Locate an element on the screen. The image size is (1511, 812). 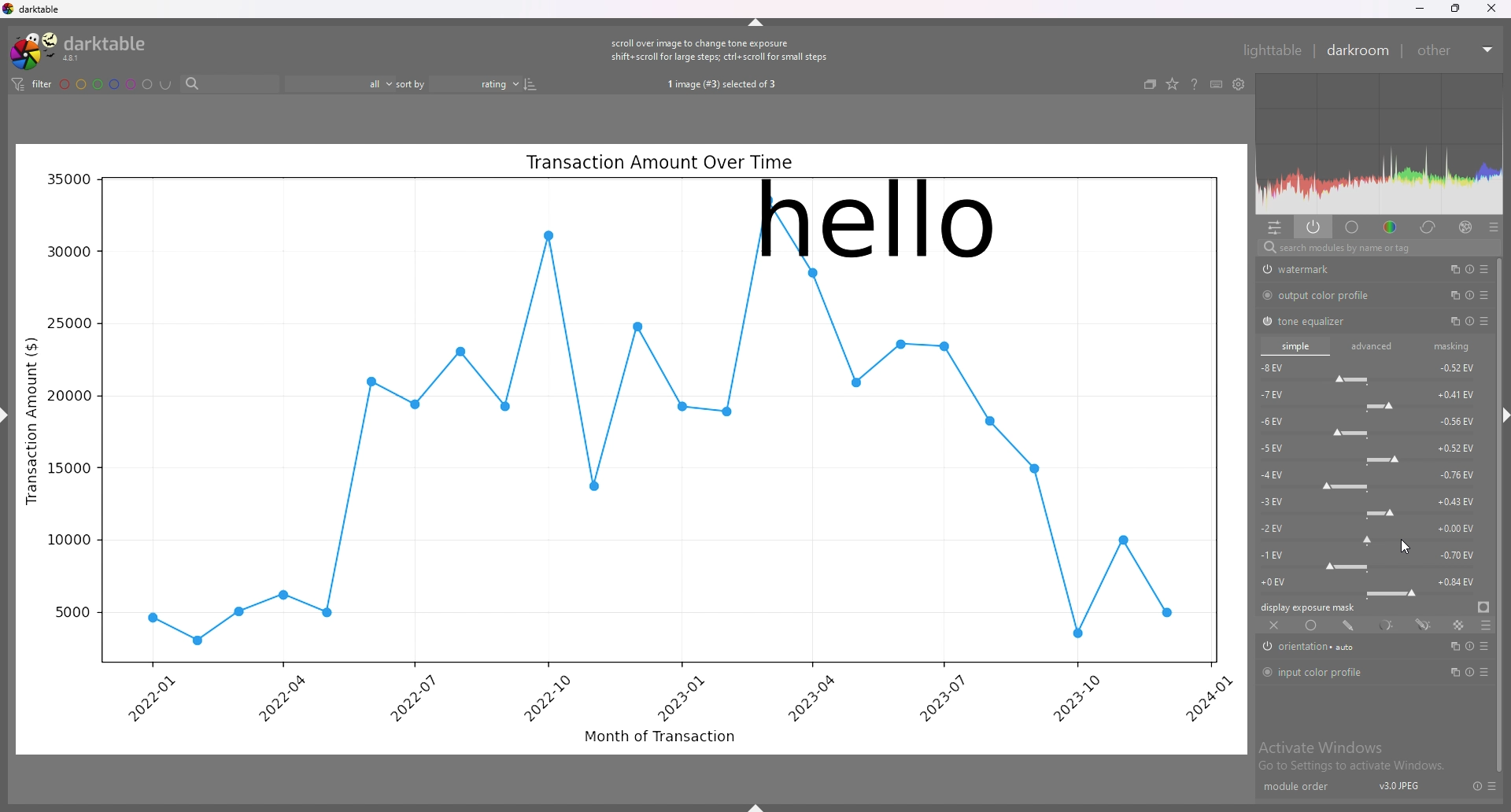
other is located at coordinates (1439, 51).